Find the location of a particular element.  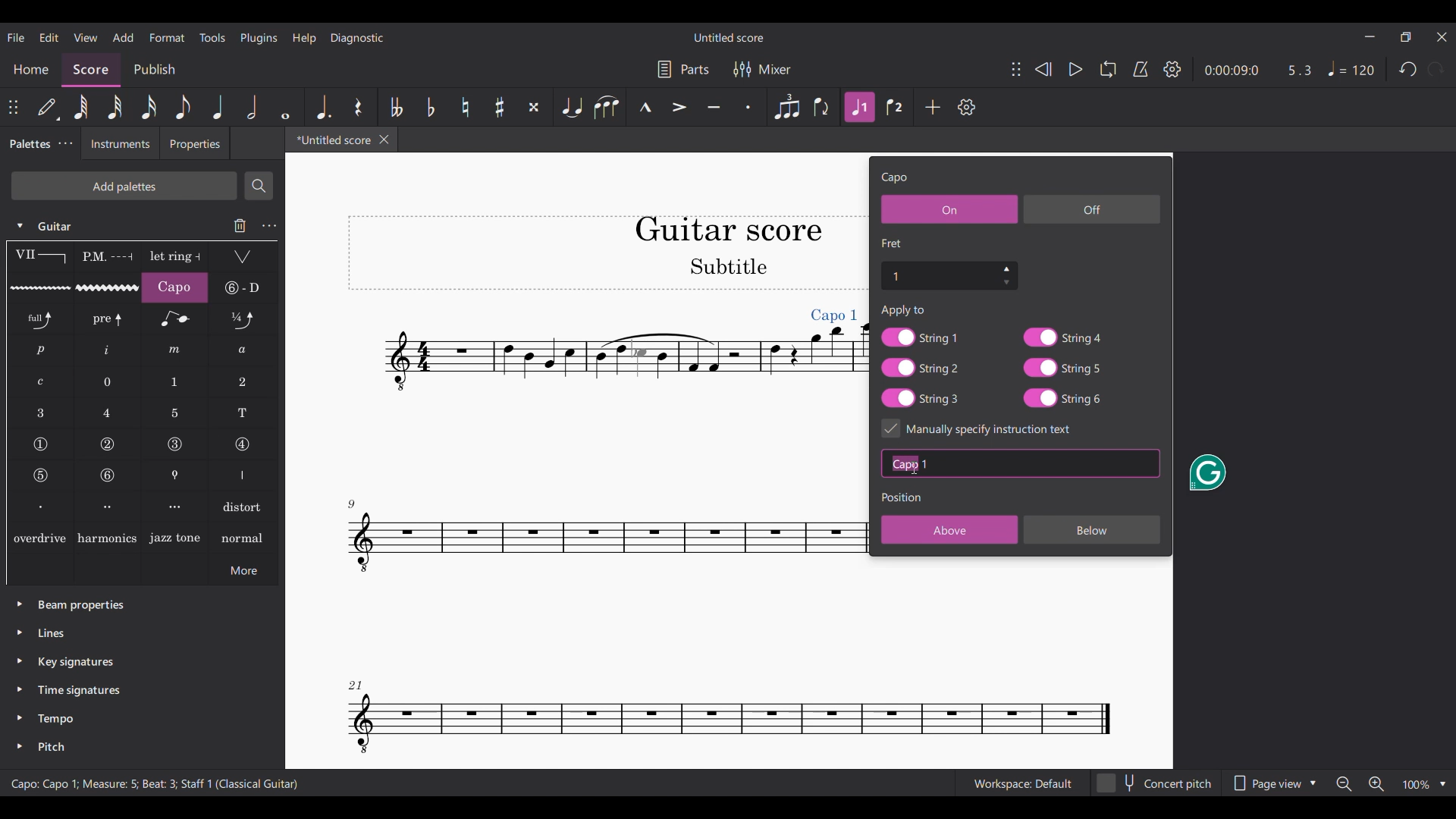

String 3 toggle is located at coordinates (920, 398).